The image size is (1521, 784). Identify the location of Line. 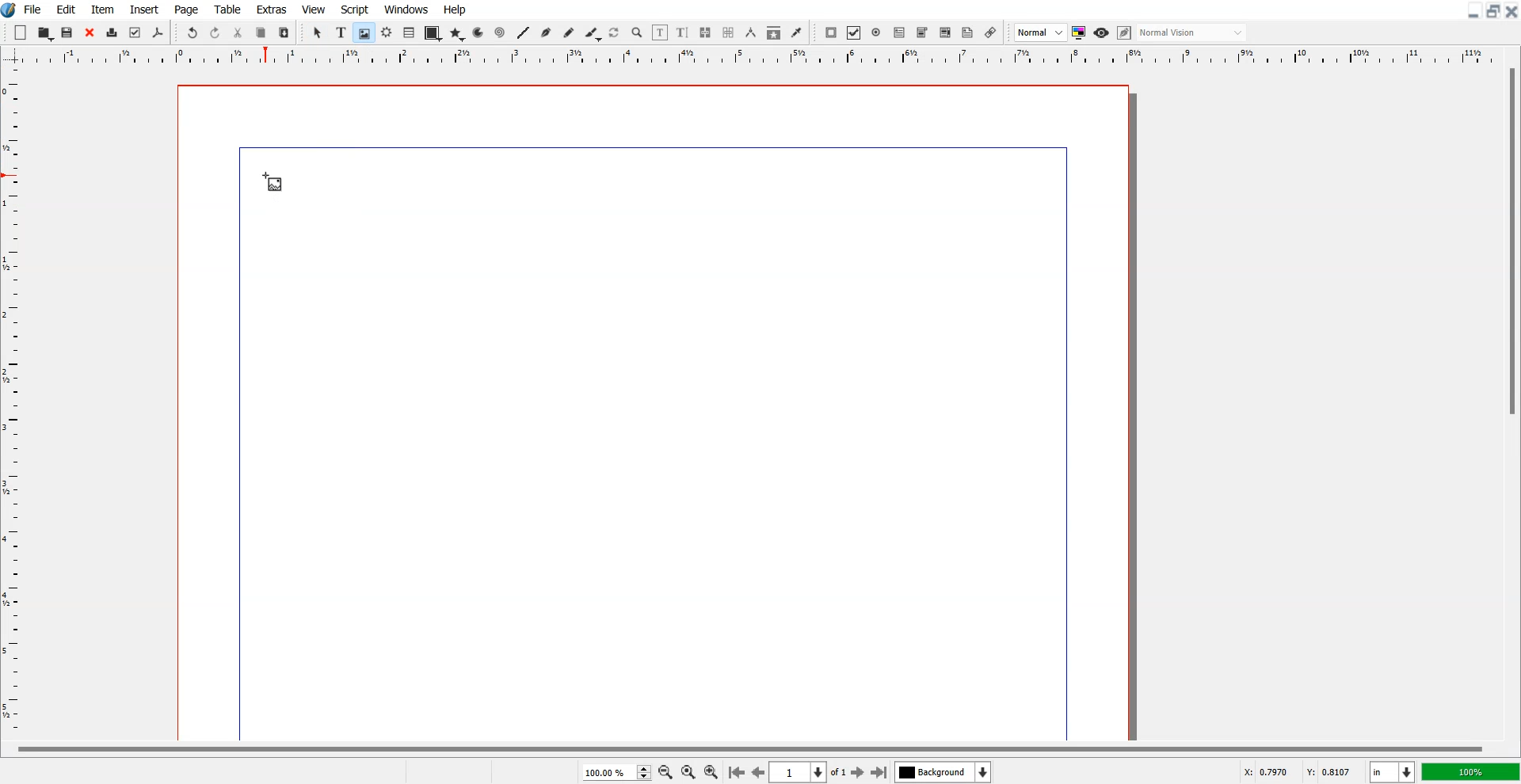
(524, 32).